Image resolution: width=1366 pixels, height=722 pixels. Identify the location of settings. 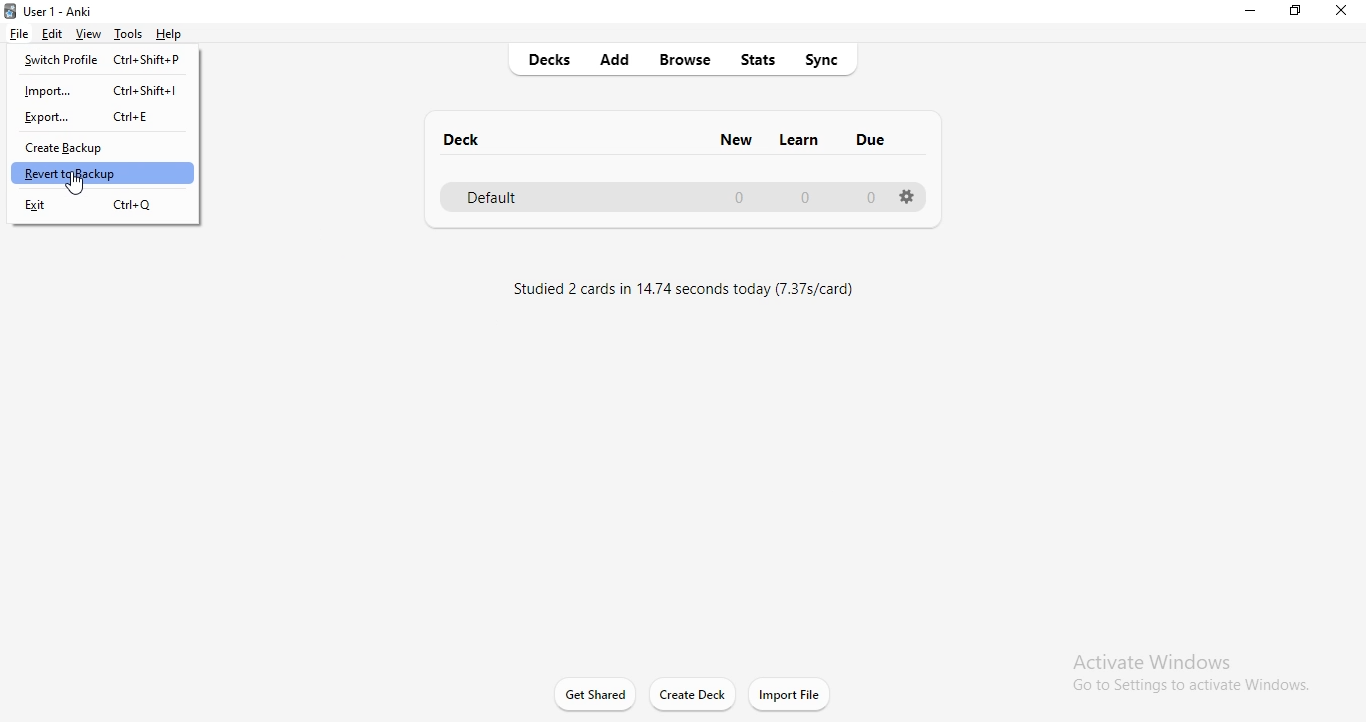
(907, 199).